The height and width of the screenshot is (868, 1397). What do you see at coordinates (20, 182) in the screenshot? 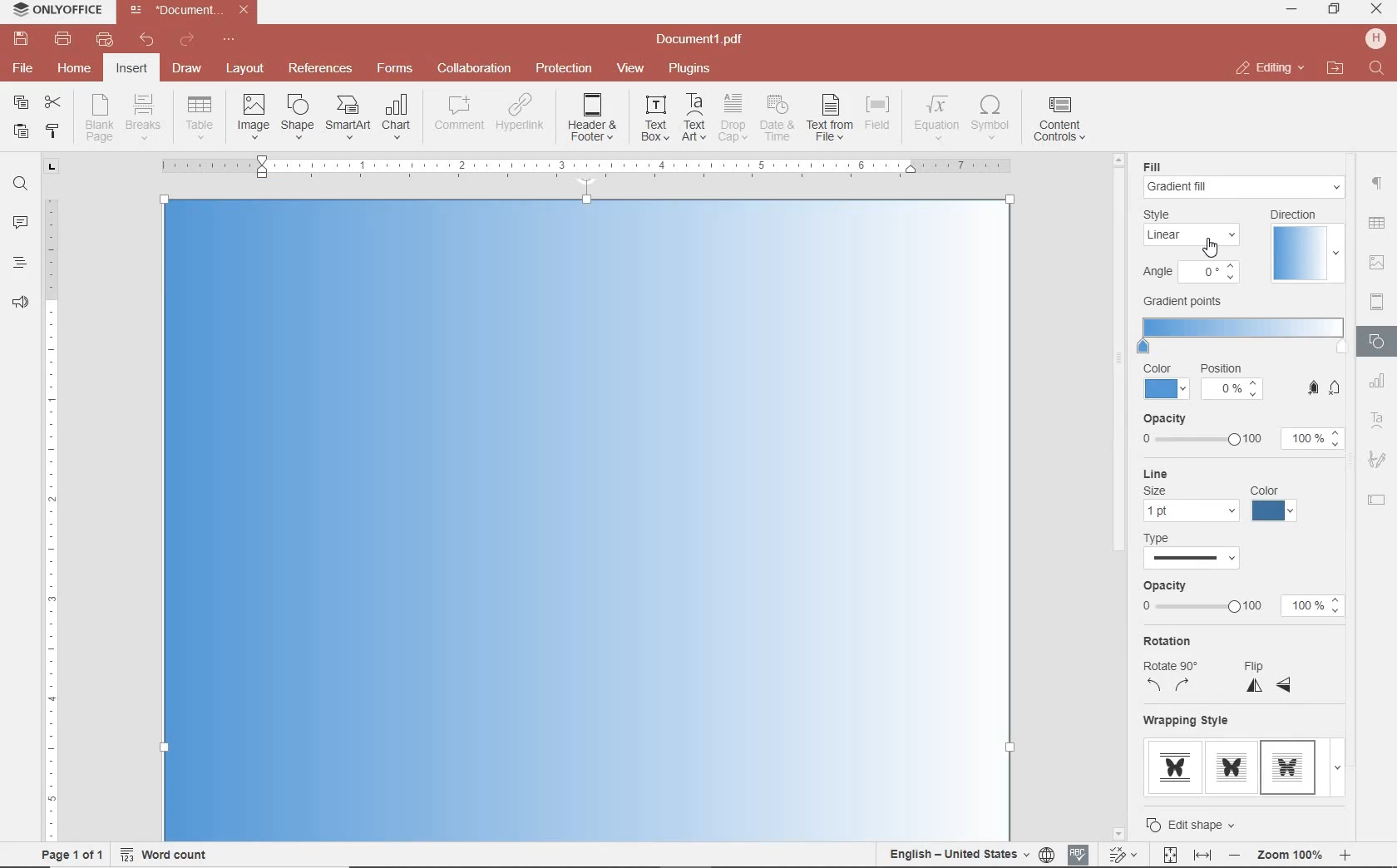
I see `find` at bounding box center [20, 182].